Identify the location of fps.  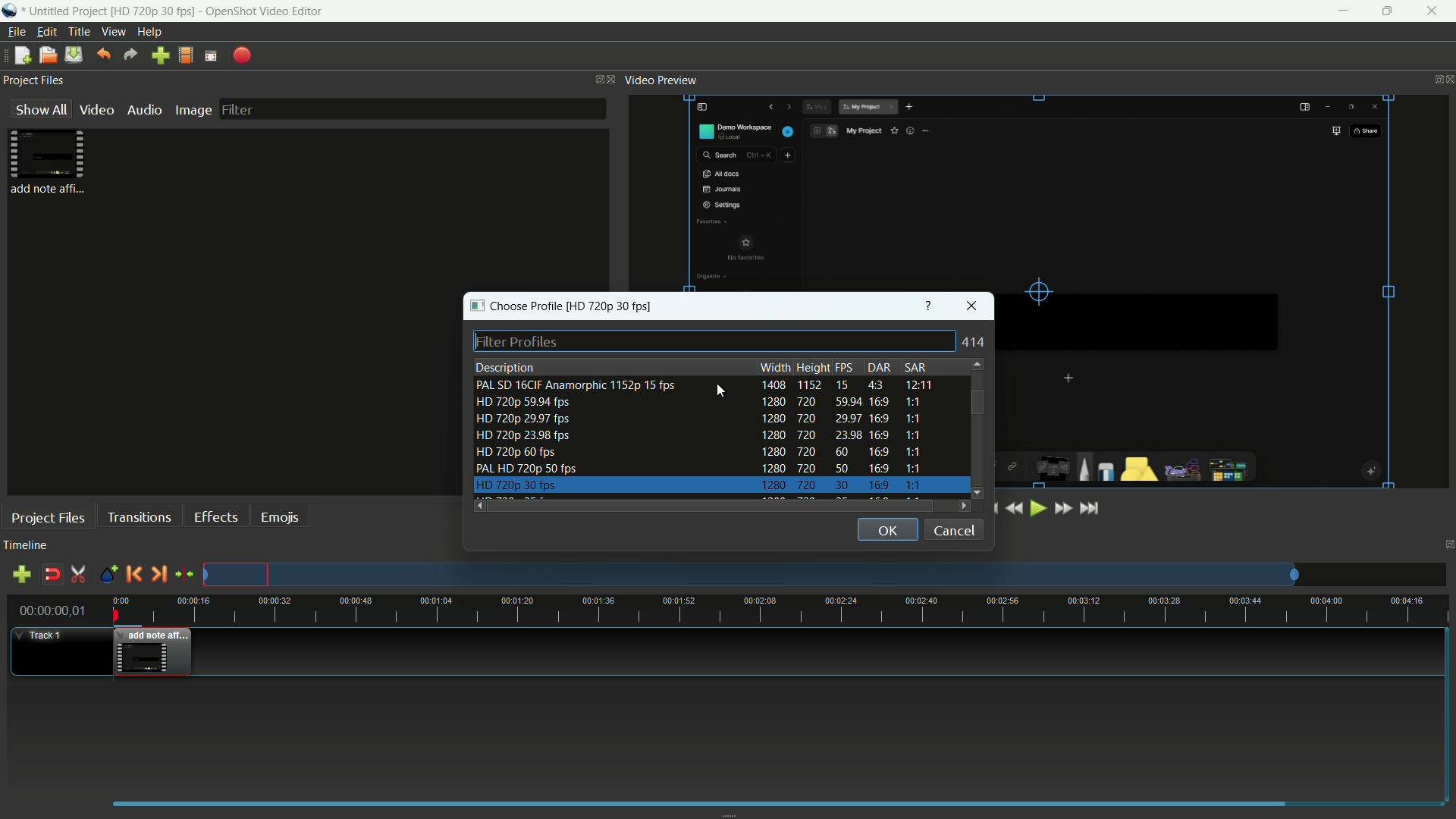
(846, 369).